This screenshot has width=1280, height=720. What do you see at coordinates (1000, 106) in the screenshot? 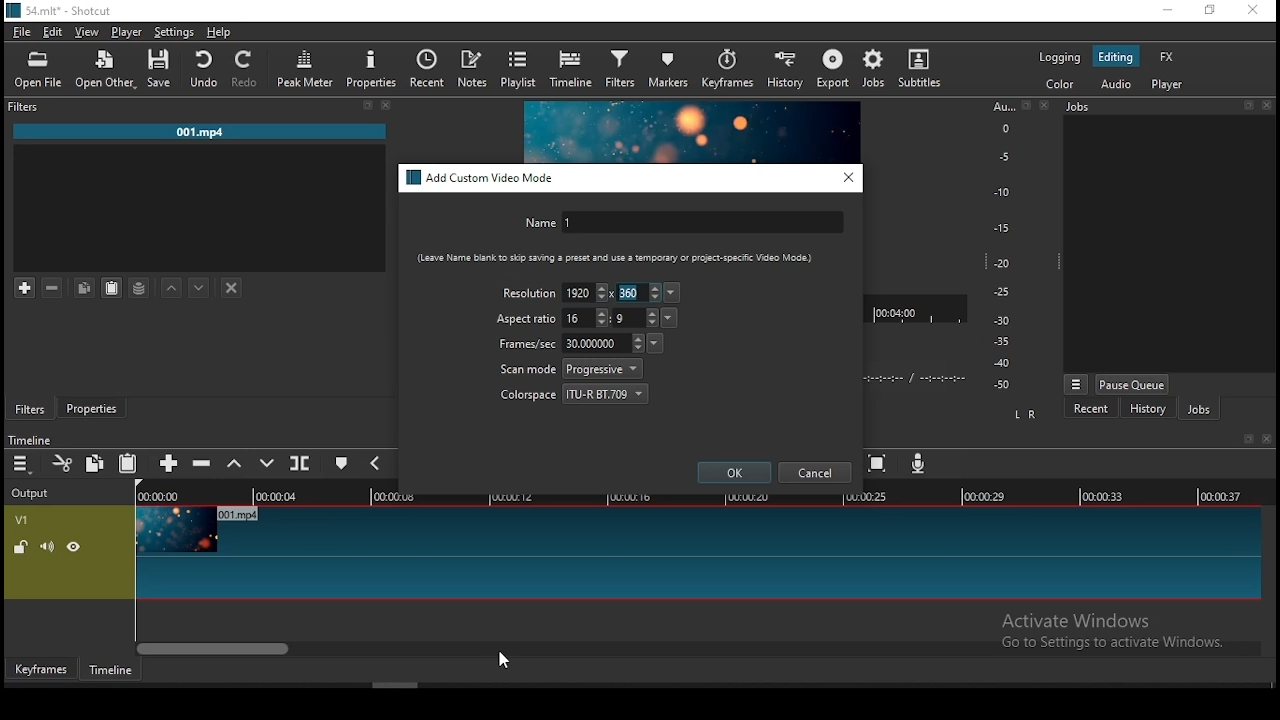
I see `Au...` at bounding box center [1000, 106].